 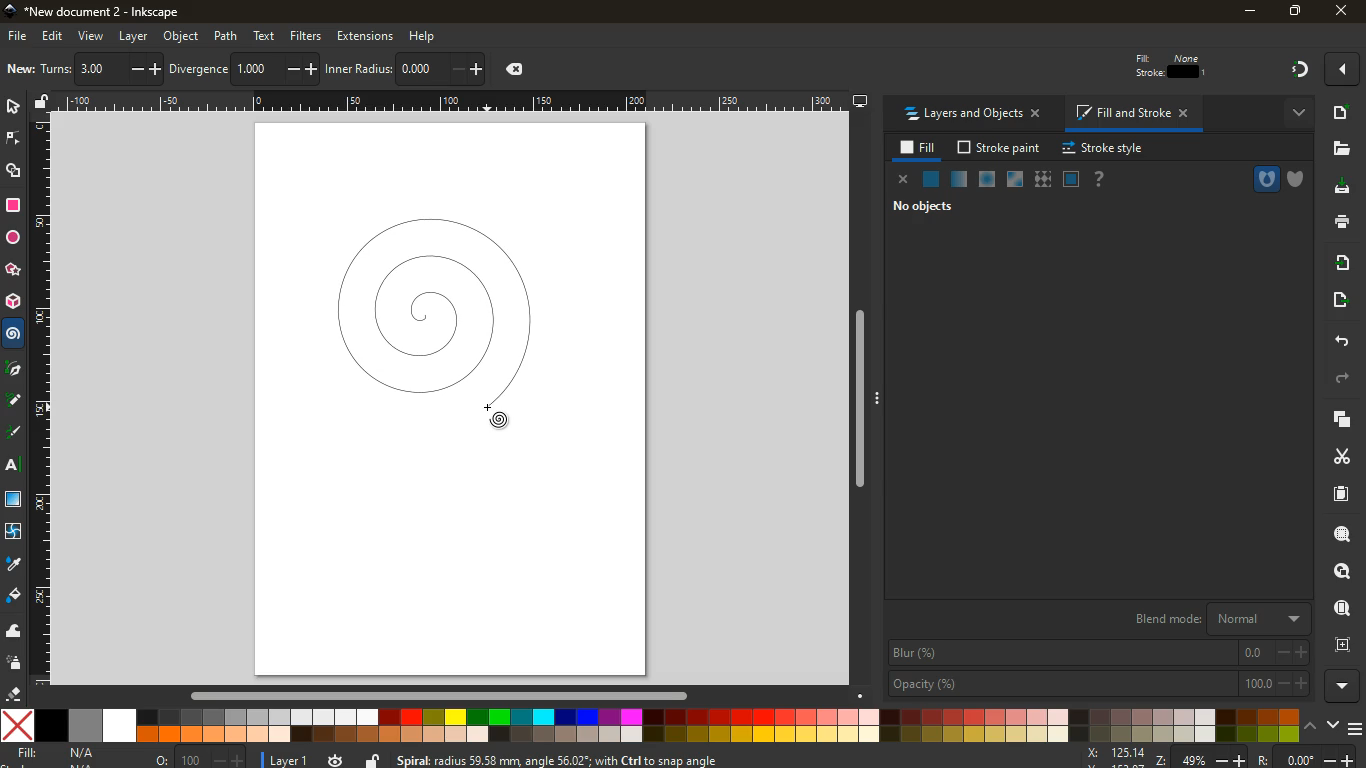 What do you see at coordinates (681, 760) in the screenshot?
I see `message` at bounding box center [681, 760].